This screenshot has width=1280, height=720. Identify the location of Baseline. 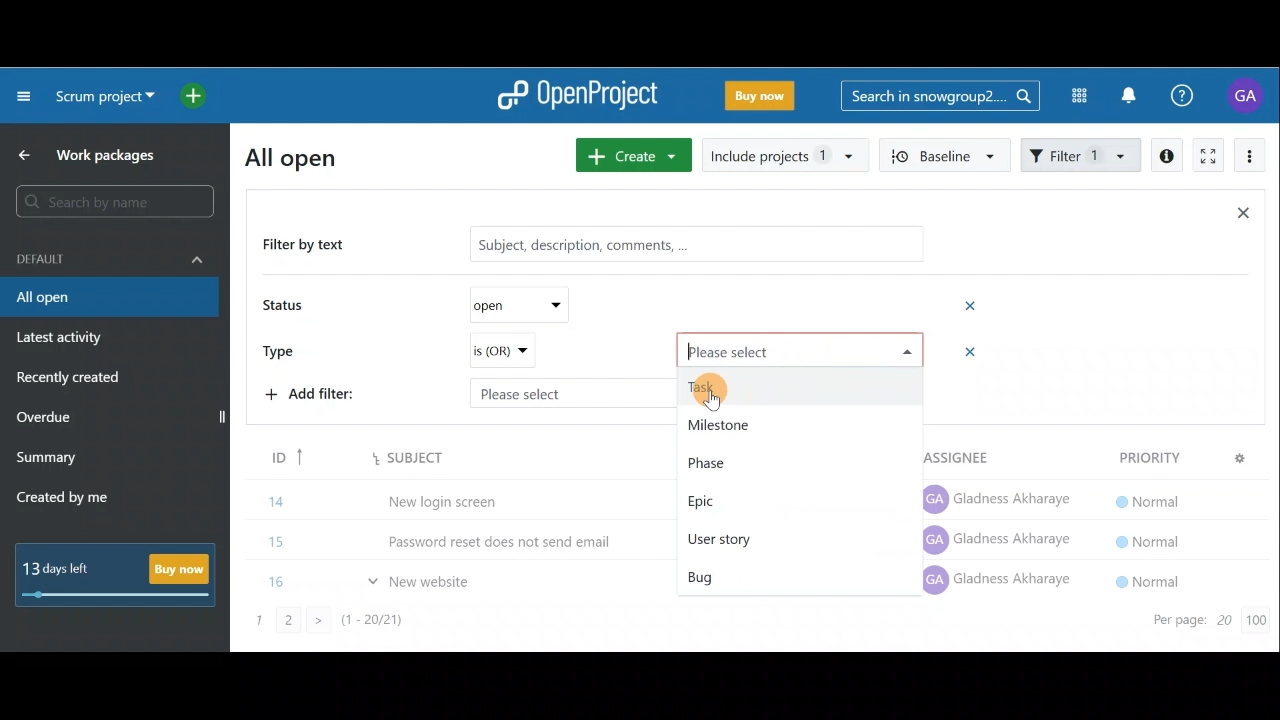
(942, 154).